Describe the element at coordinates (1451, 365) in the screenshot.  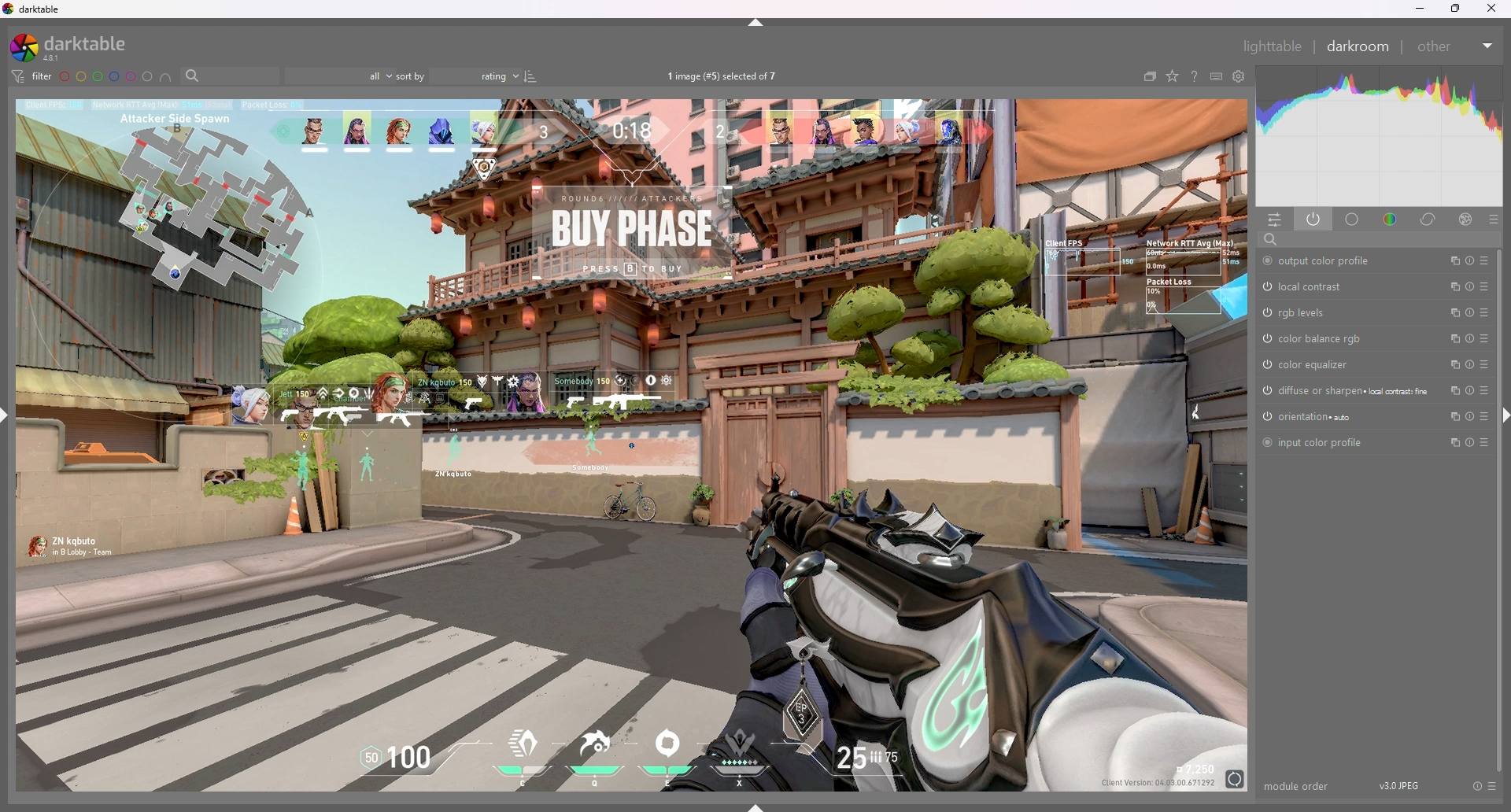
I see `multiple instances actions` at that location.